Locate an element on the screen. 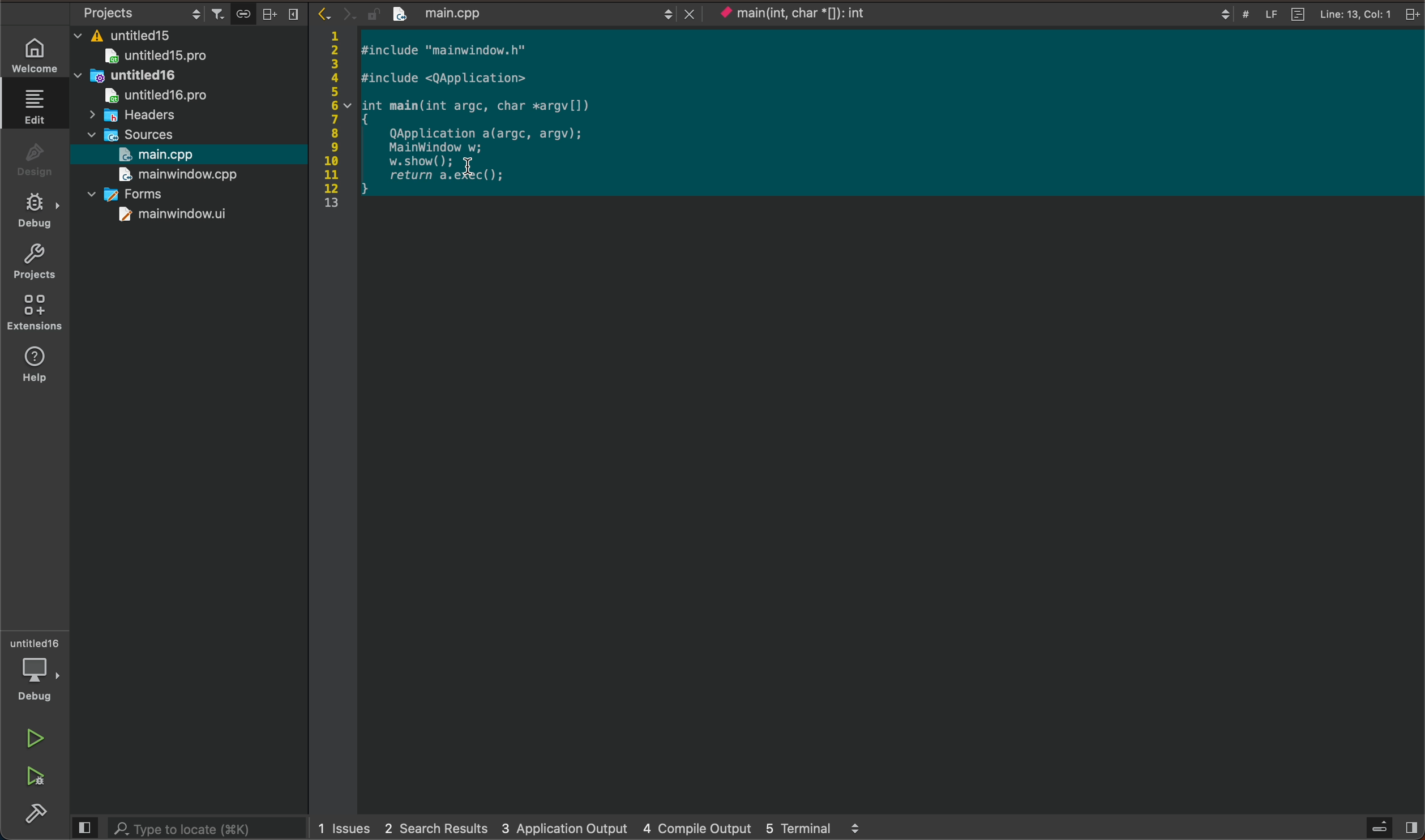 This screenshot has height=840, width=1425. selected file is located at coordinates (186, 155).